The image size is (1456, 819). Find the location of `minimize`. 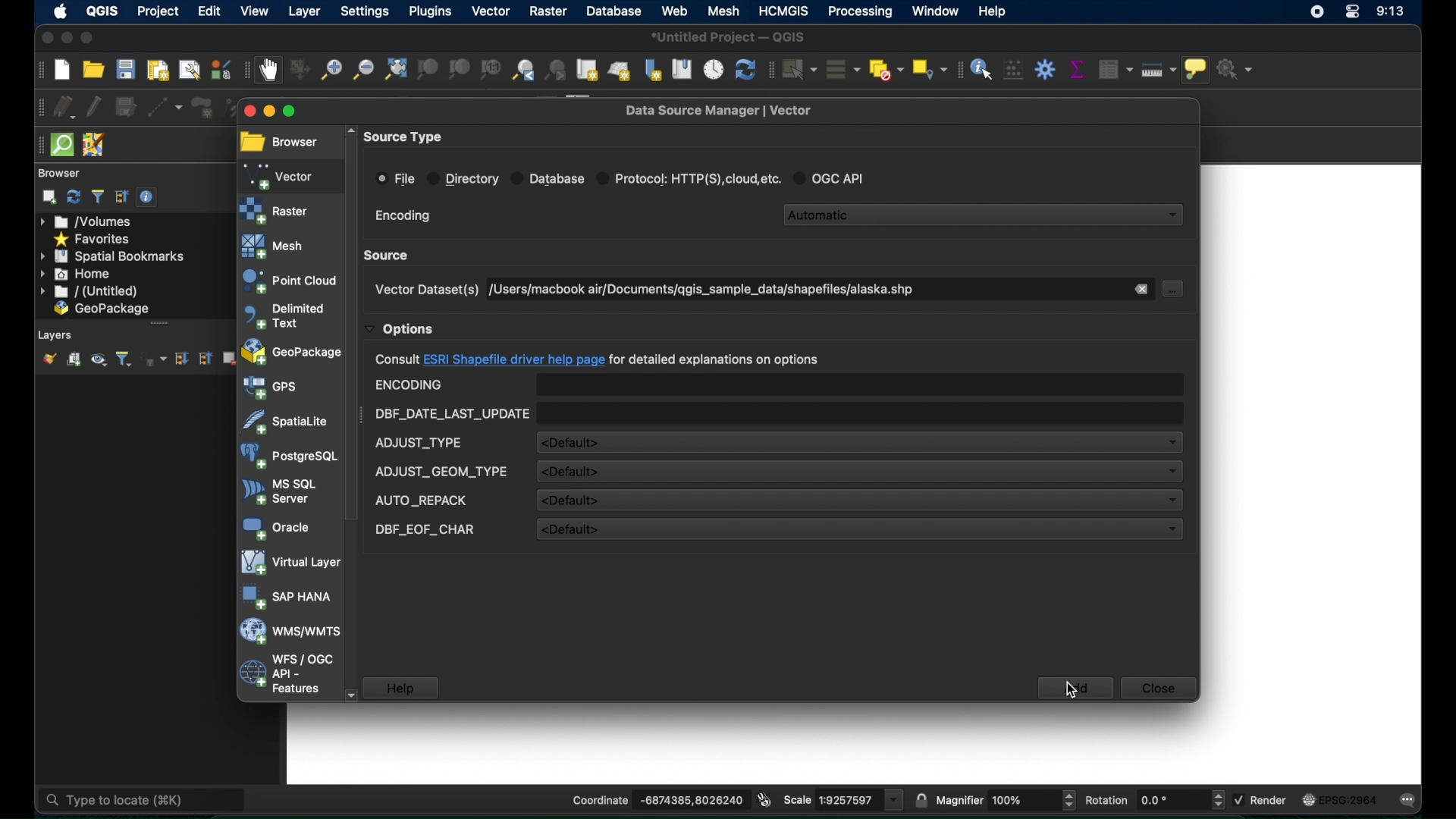

minimize is located at coordinates (67, 39).